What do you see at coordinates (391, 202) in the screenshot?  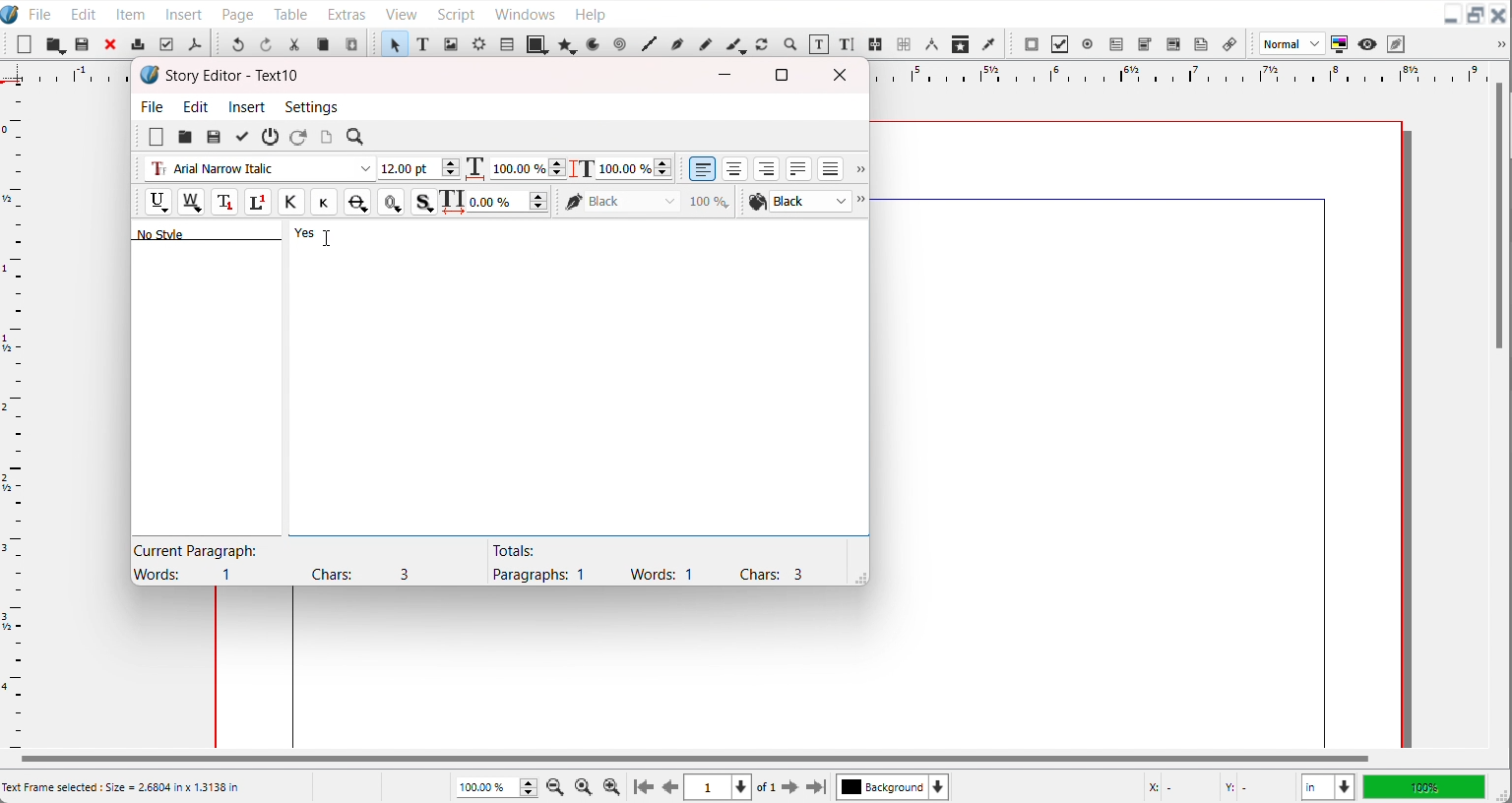 I see `Outline` at bounding box center [391, 202].